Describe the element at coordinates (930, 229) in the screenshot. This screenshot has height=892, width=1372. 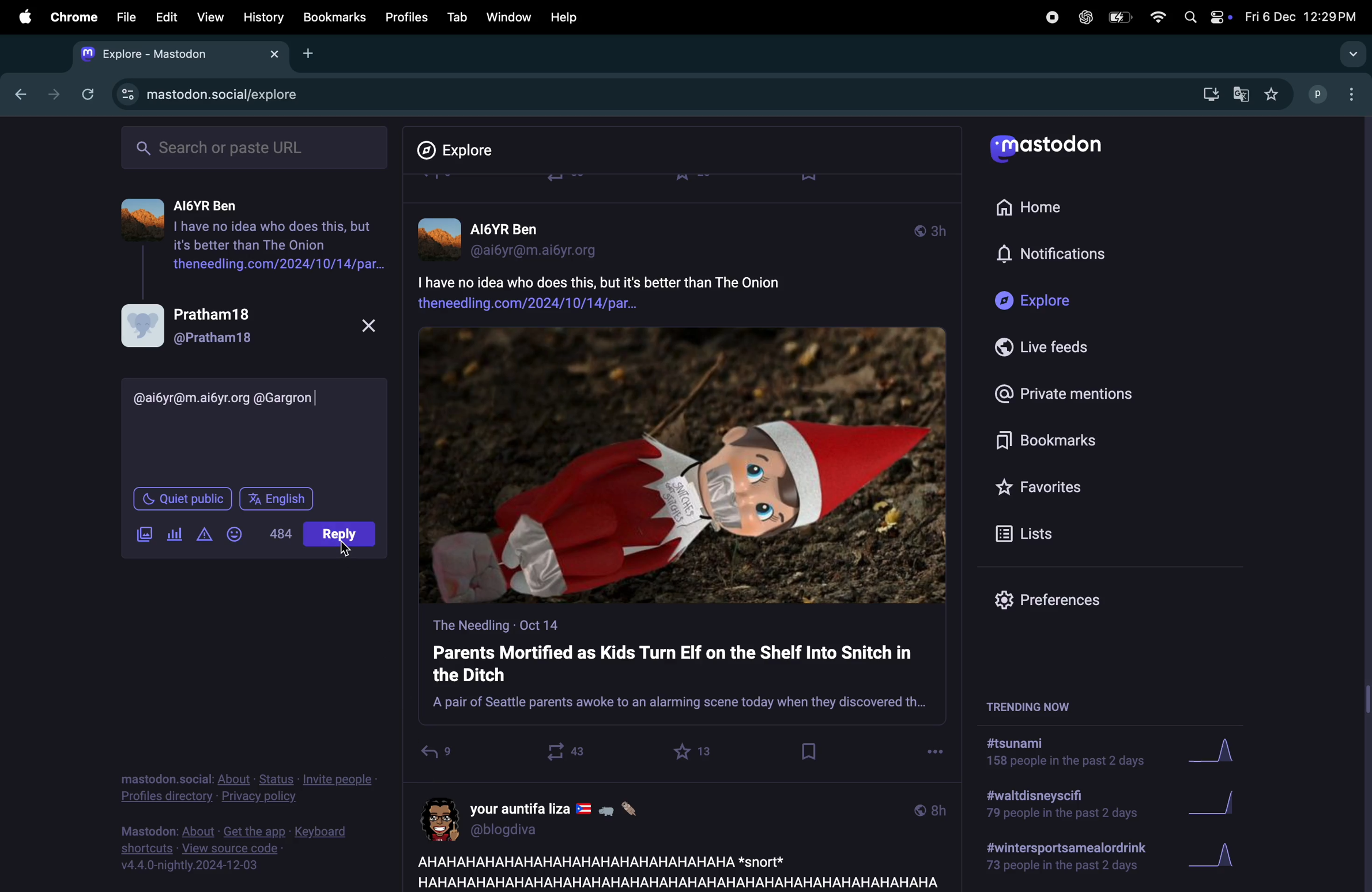
I see `time ago` at that location.